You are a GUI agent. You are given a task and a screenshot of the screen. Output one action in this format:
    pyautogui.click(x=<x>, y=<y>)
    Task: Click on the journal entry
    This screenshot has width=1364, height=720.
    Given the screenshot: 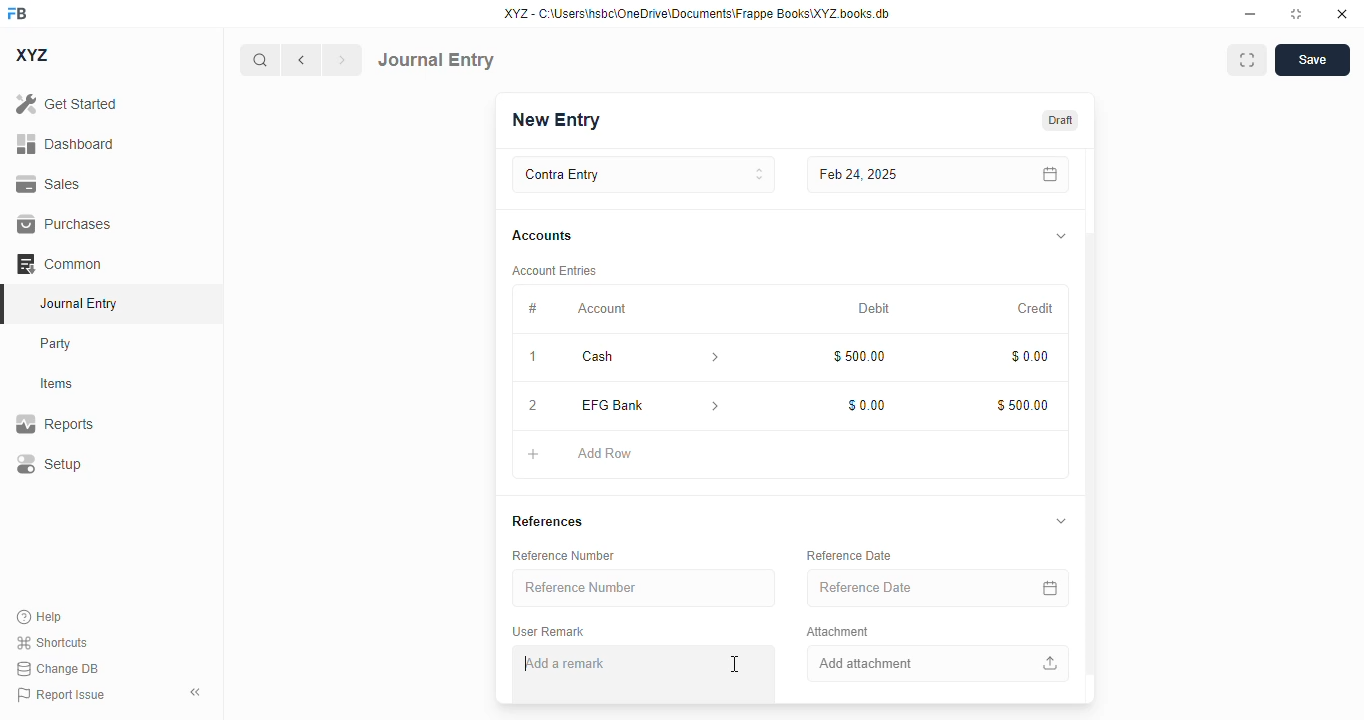 What is the action you would take?
    pyautogui.click(x=436, y=60)
    